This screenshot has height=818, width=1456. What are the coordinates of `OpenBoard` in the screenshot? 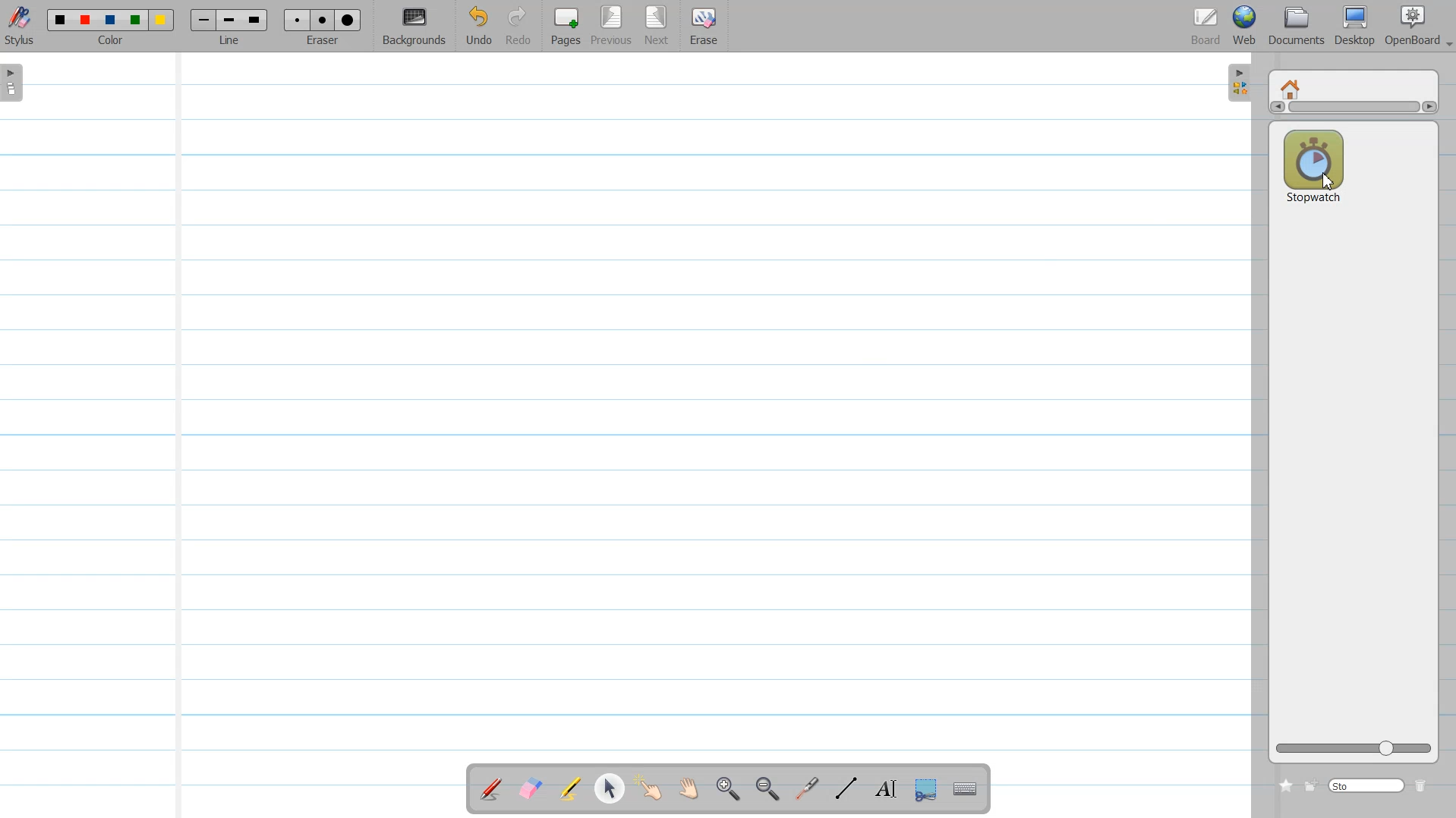 It's located at (1407, 26).